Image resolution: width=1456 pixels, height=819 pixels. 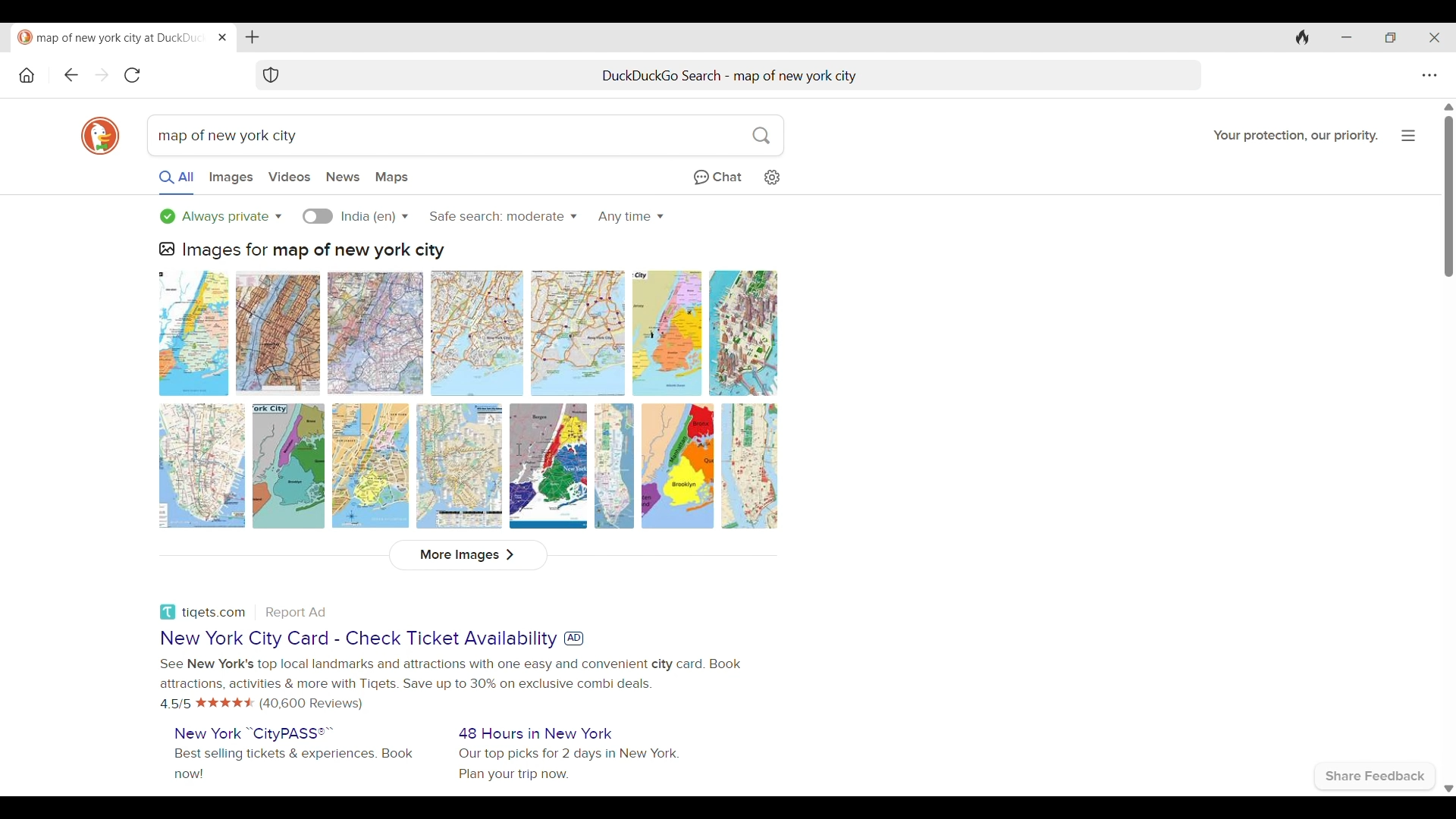 What do you see at coordinates (1375, 777) in the screenshot?
I see `Share feedback with browser` at bounding box center [1375, 777].